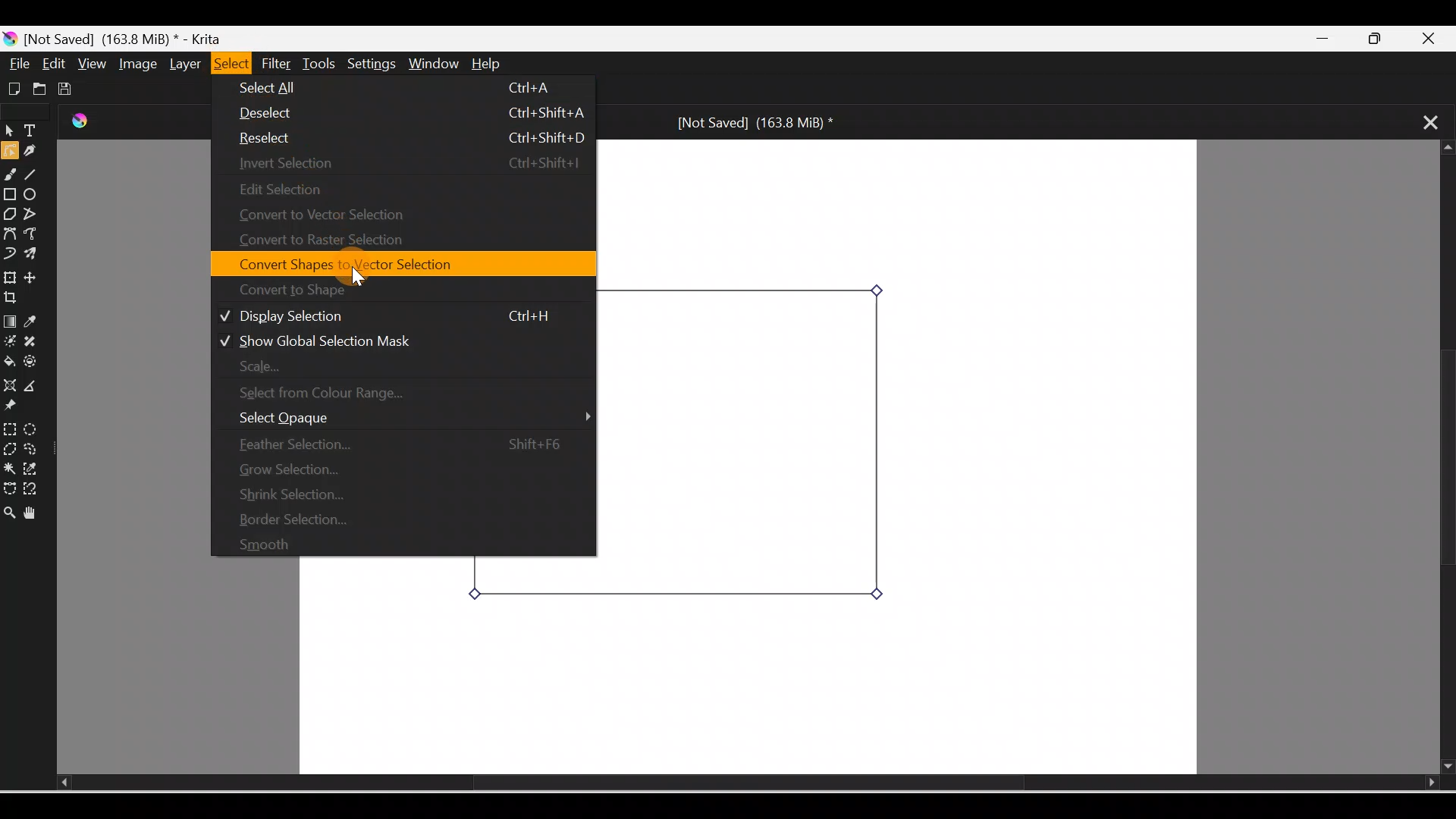 The height and width of the screenshot is (819, 1456). I want to click on Enclose and fill tool, so click(36, 365).